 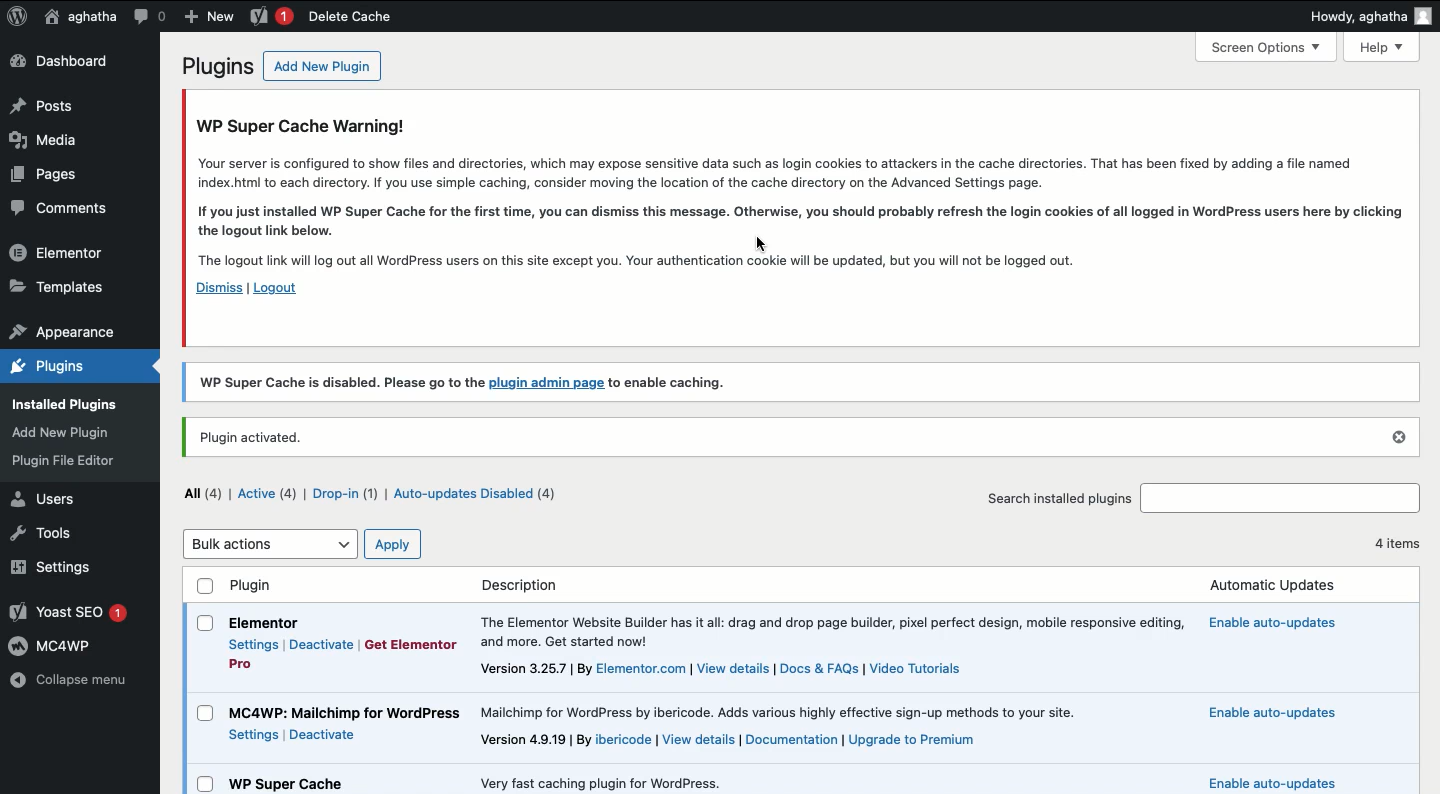 What do you see at coordinates (253, 734) in the screenshot?
I see `Settings` at bounding box center [253, 734].